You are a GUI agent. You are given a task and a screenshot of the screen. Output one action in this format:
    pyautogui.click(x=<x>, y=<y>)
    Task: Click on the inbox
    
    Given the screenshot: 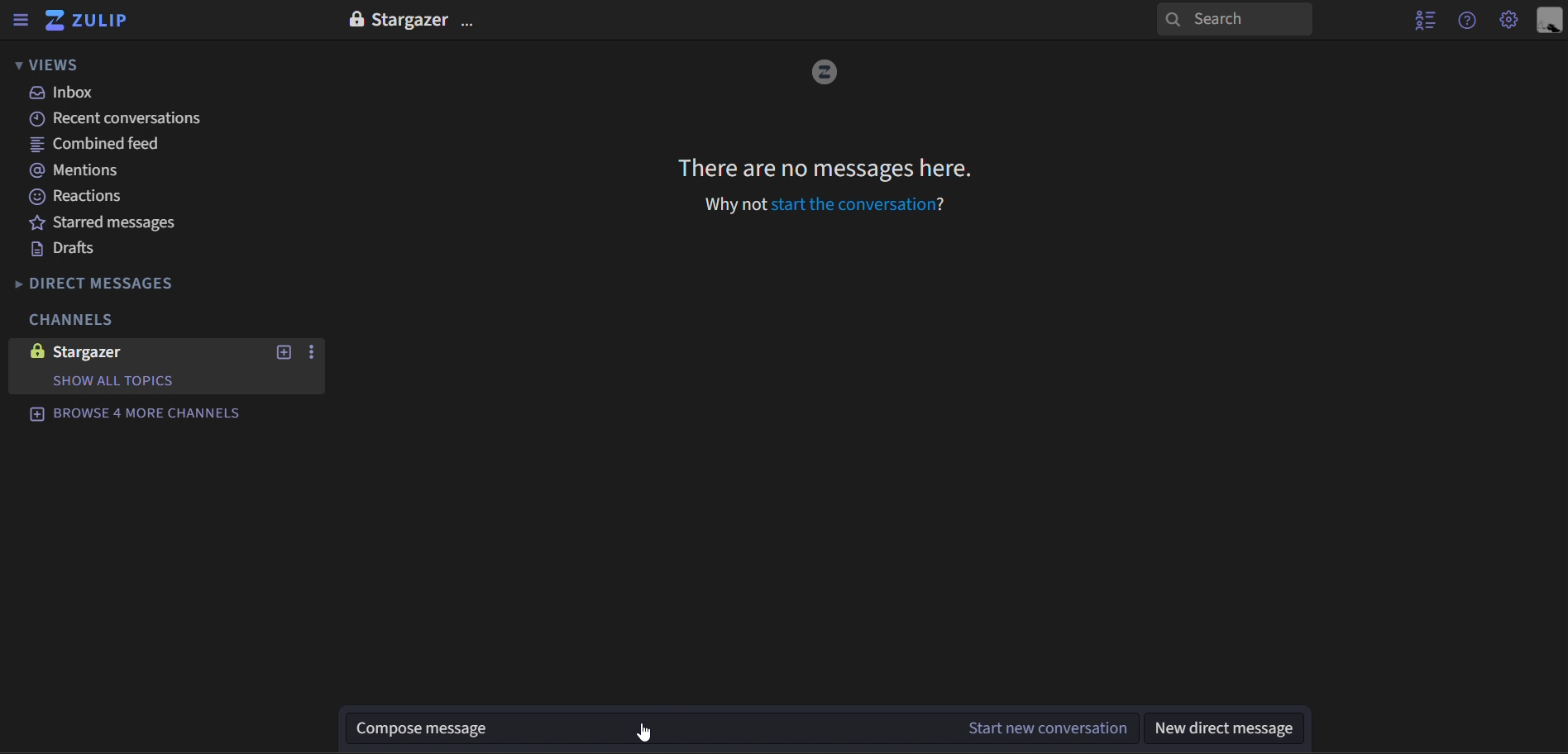 What is the action you would take?
    pyautogui.click(x=138, y=92)
    